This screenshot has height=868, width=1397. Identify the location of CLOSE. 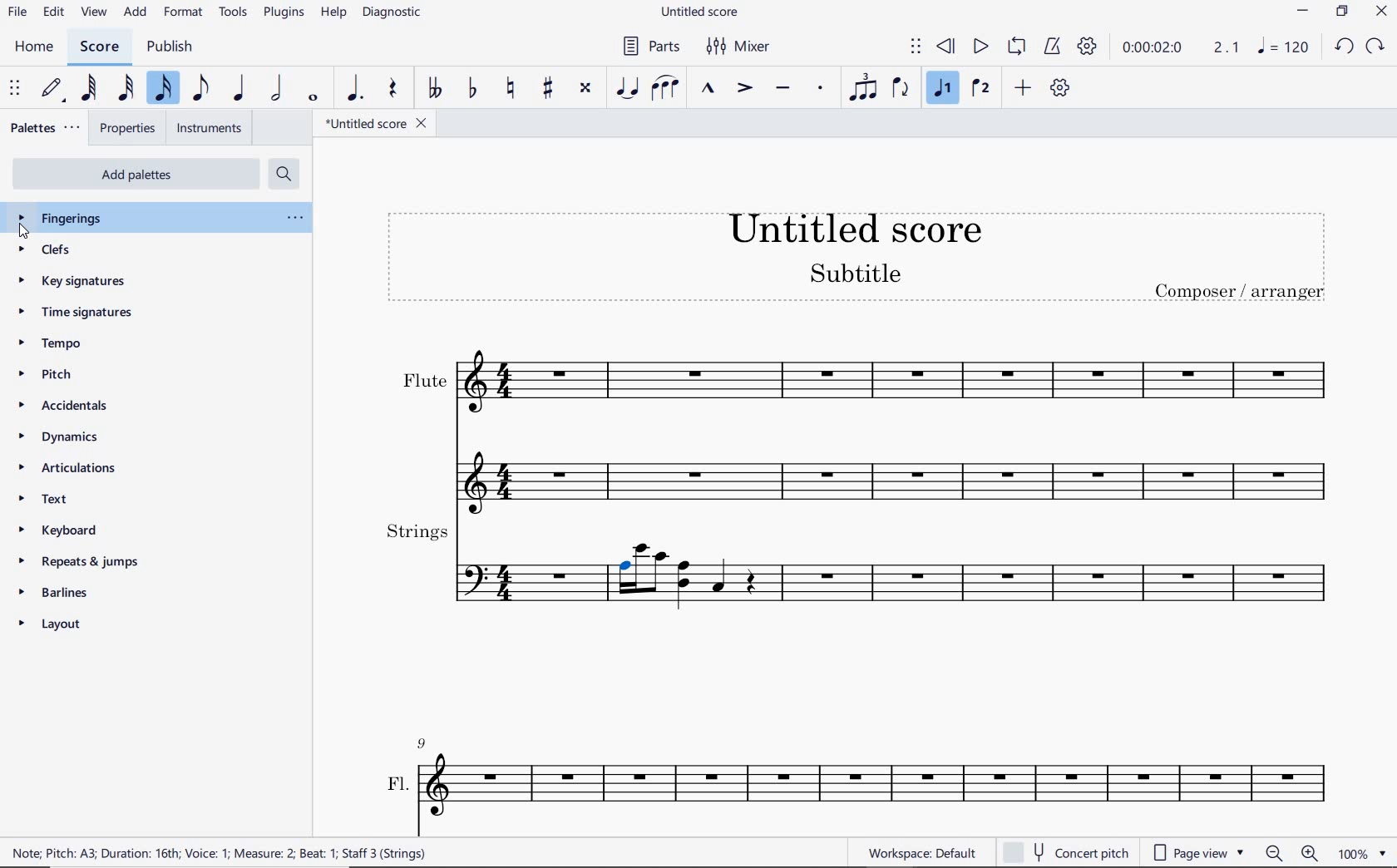
(1380, 13).